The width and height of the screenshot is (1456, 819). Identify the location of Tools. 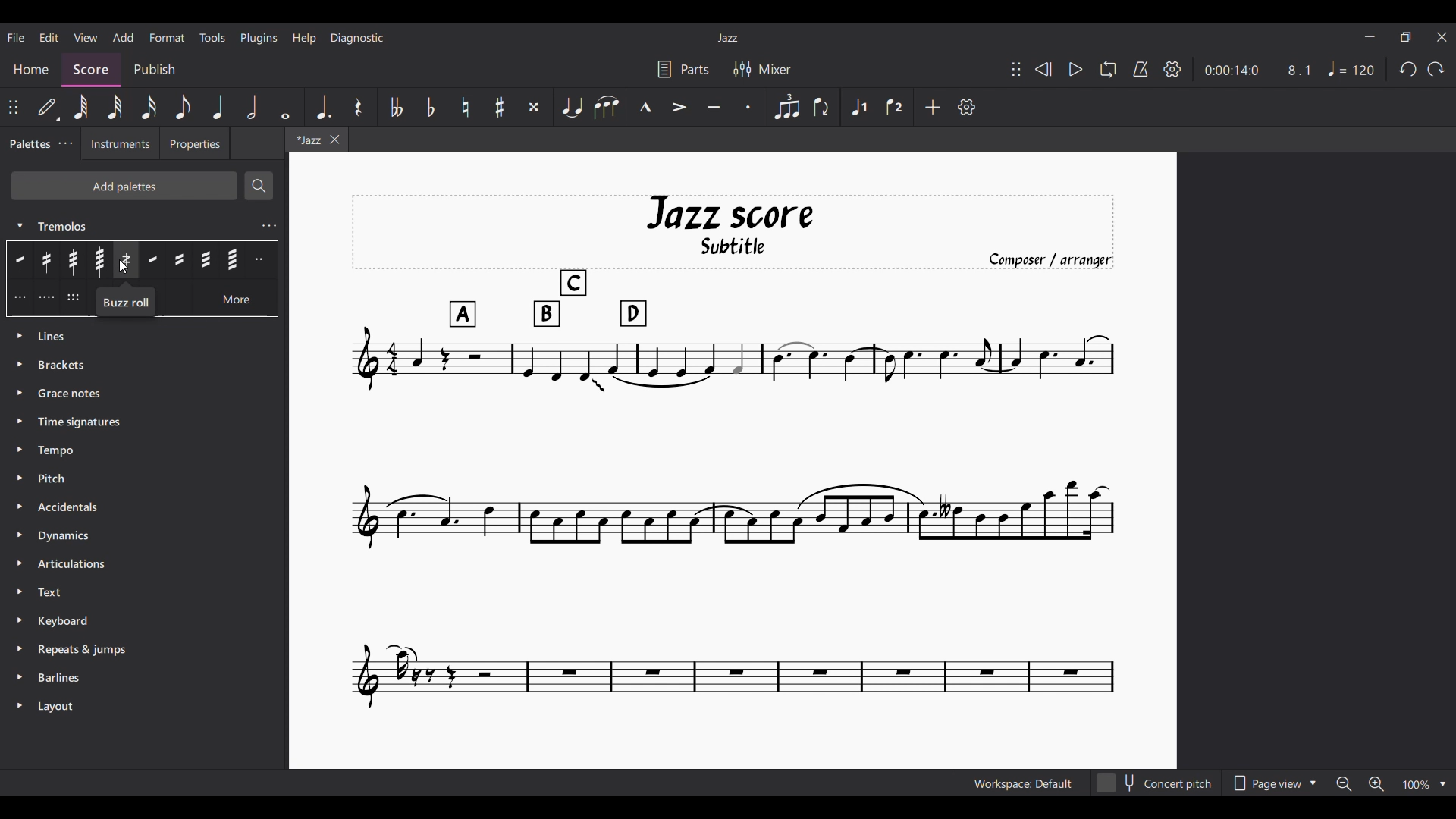
(212, 37).